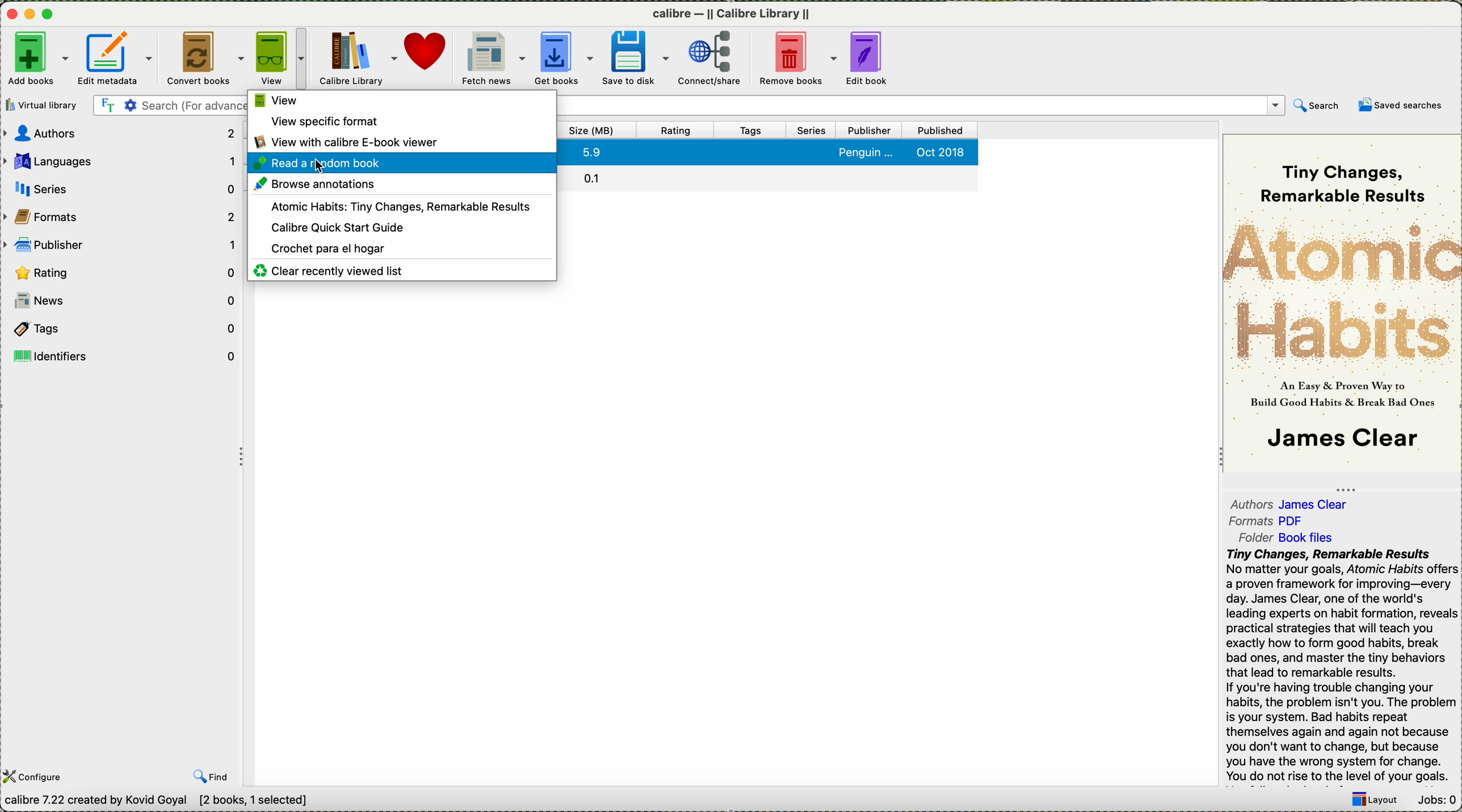  What do you see at coordinates (282, 59) in the screenshot?
I see `click on view` at bounding box center [282, 59].